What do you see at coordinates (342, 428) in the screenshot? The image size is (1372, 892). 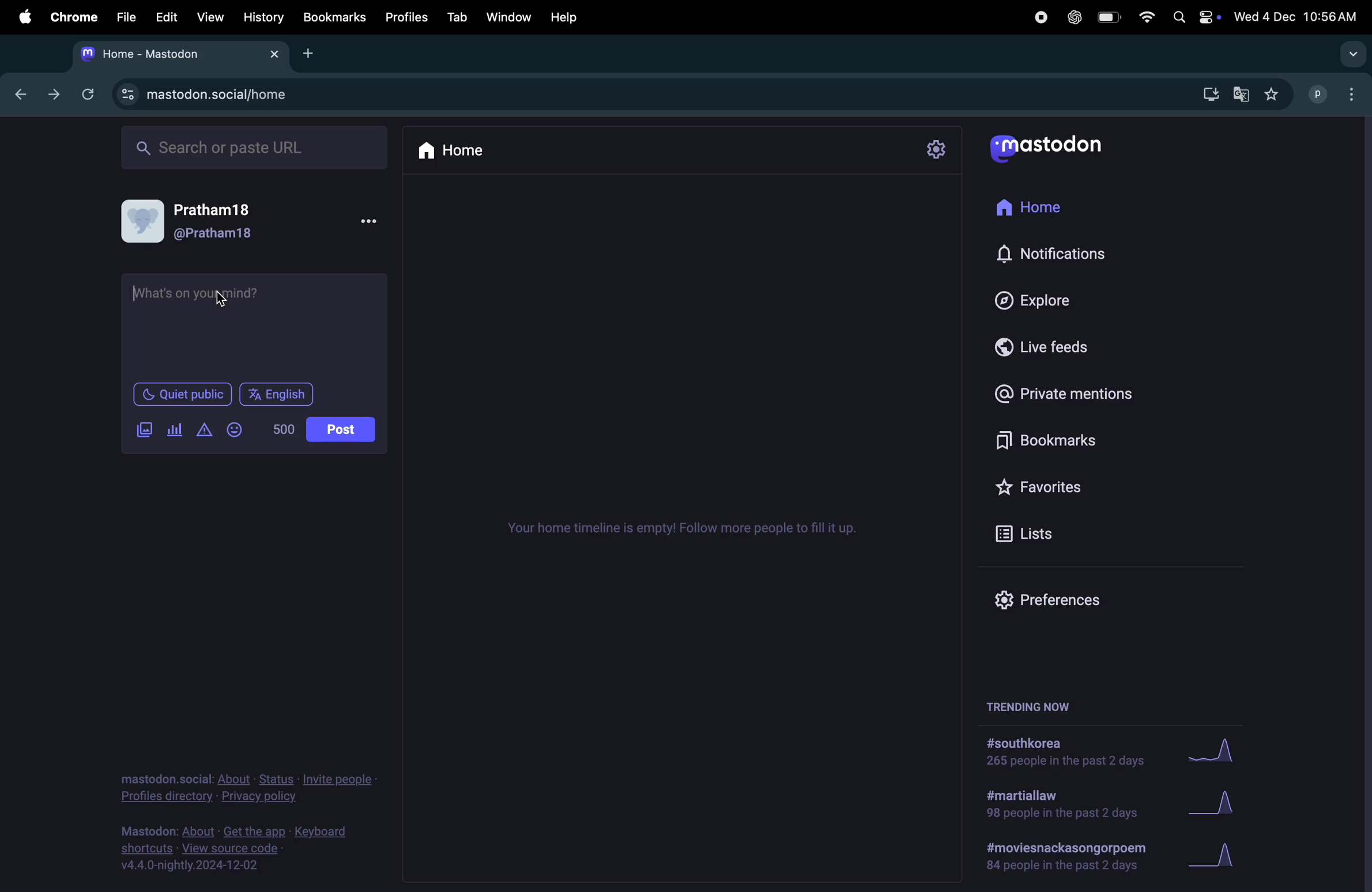 I see `Post` at bounding box center [342, 428].